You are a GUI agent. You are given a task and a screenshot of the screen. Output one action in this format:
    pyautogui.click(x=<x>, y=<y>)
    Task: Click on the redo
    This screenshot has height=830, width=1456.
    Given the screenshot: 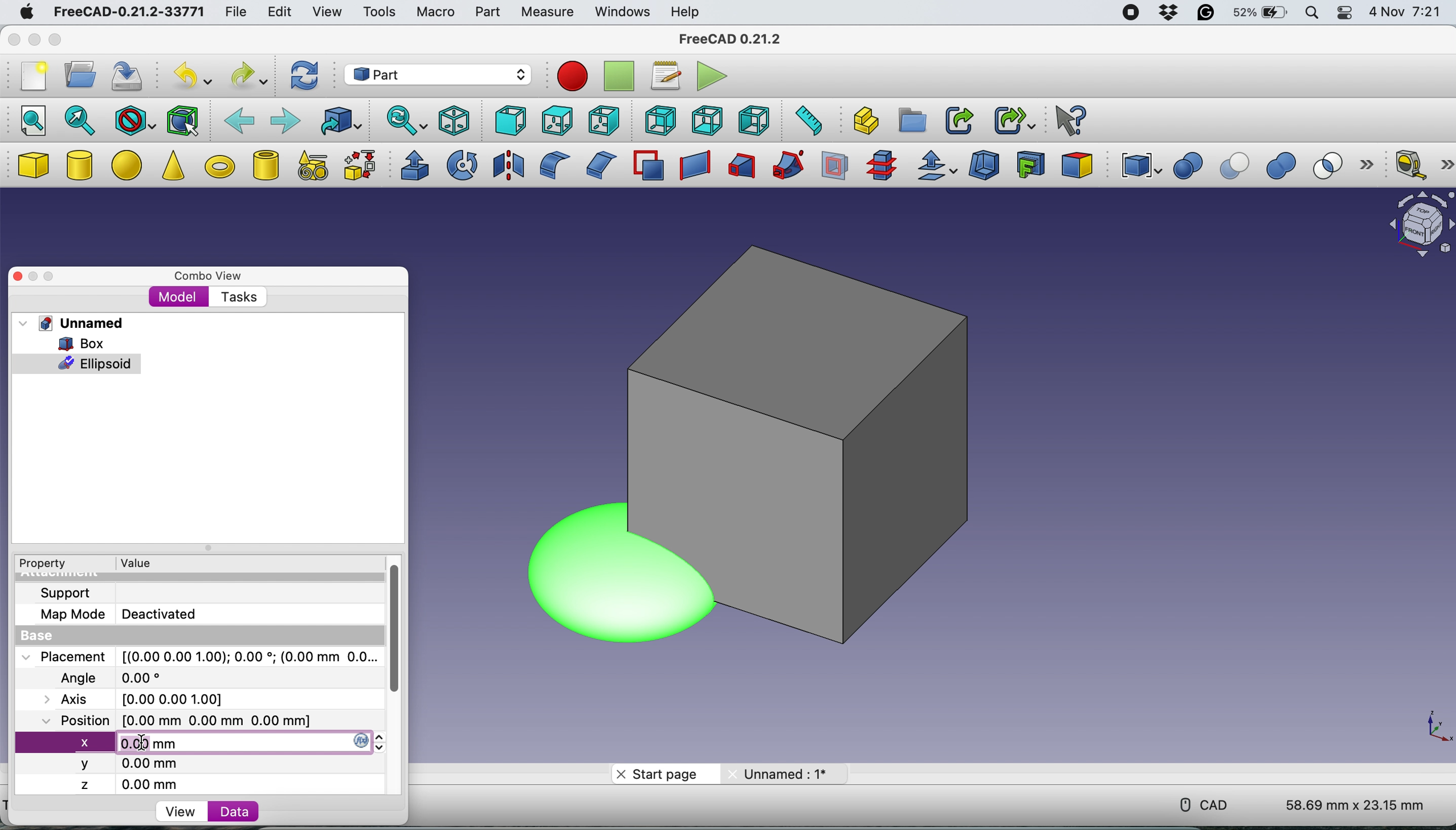 What is the action you would take?
    pyautogui.click(x=248, y=76)
    